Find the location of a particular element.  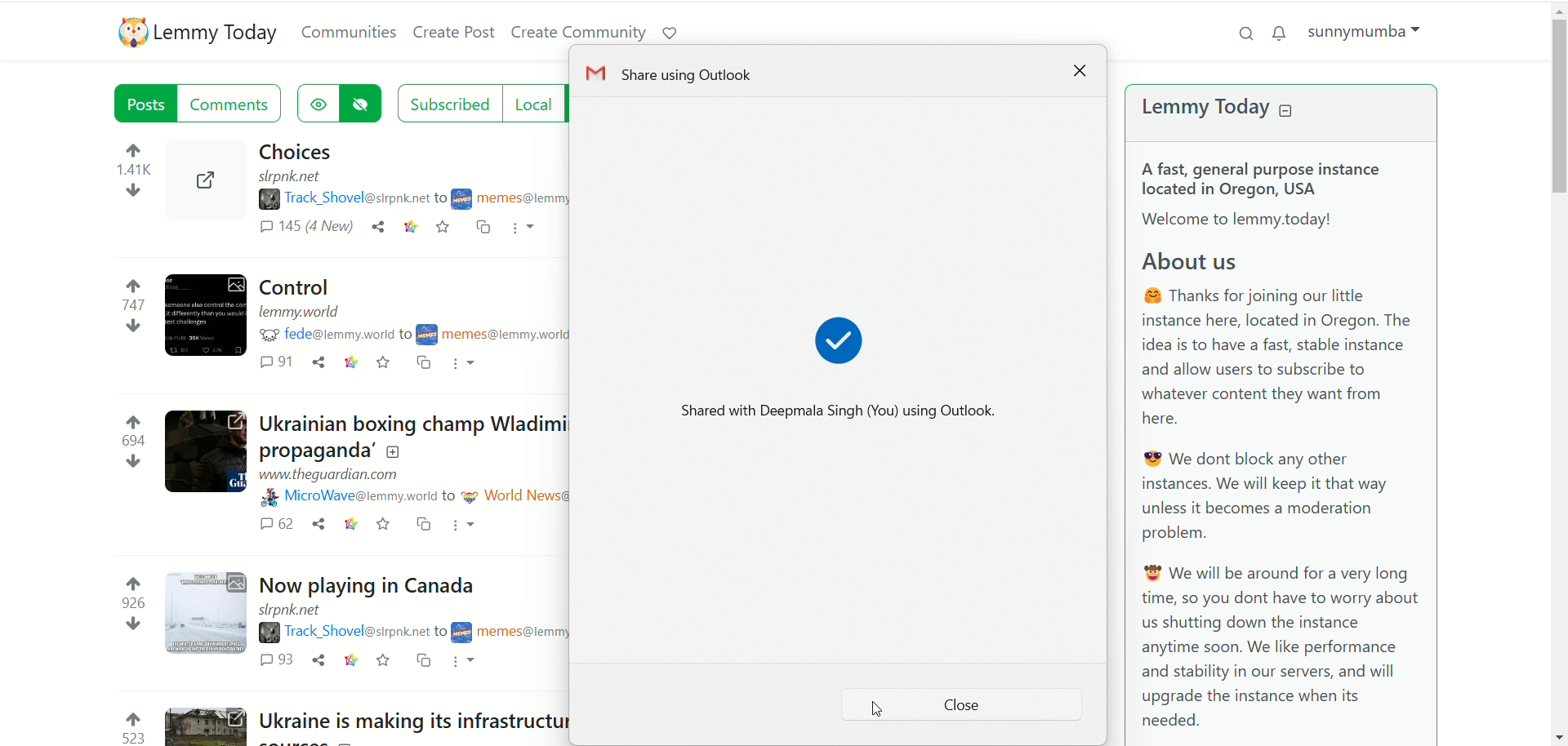

Post on "Control" is located at coordinates (301, 286).